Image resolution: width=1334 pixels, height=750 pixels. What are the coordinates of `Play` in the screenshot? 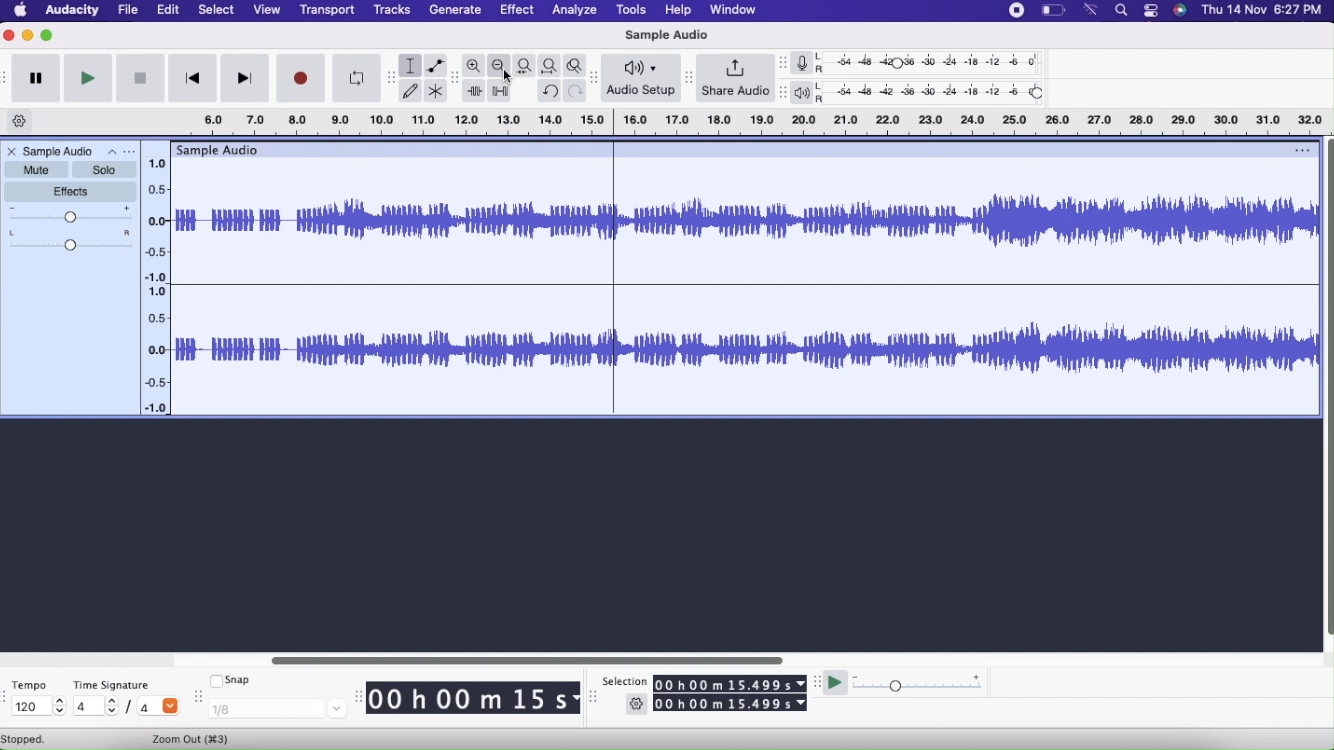 It's located at (87, 79).